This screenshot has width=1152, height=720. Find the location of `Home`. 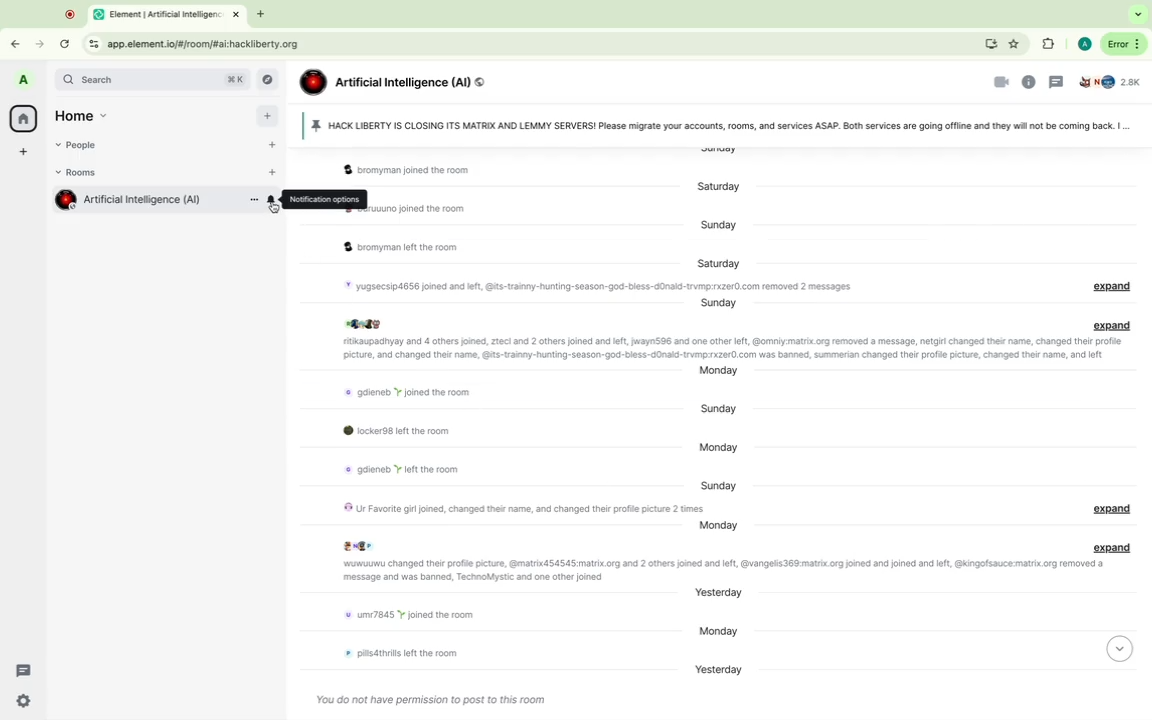

Home is located at coordinates (23, 118).